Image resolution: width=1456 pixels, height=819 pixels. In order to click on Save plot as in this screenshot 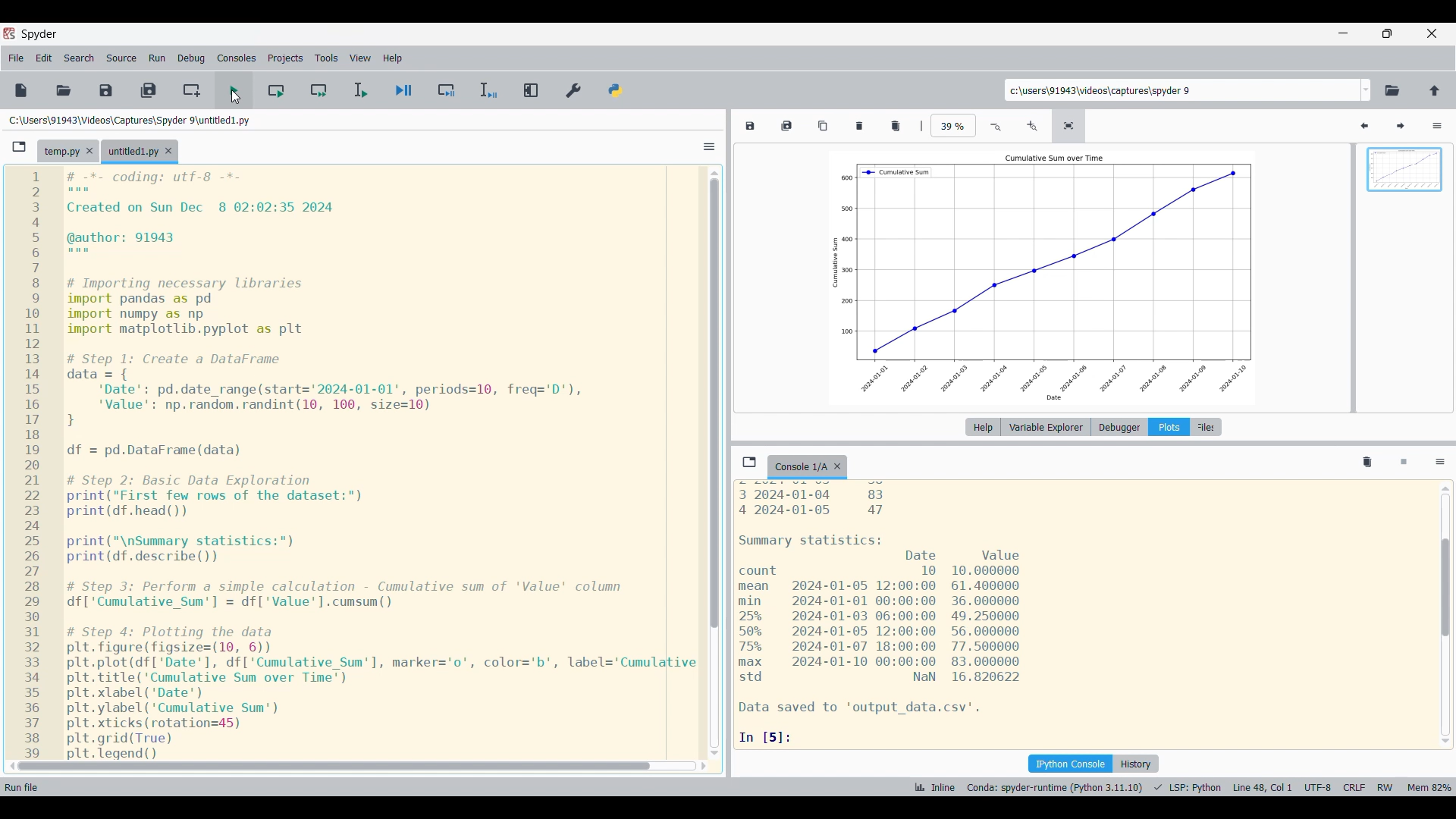, I will do `click(750, 126)`.